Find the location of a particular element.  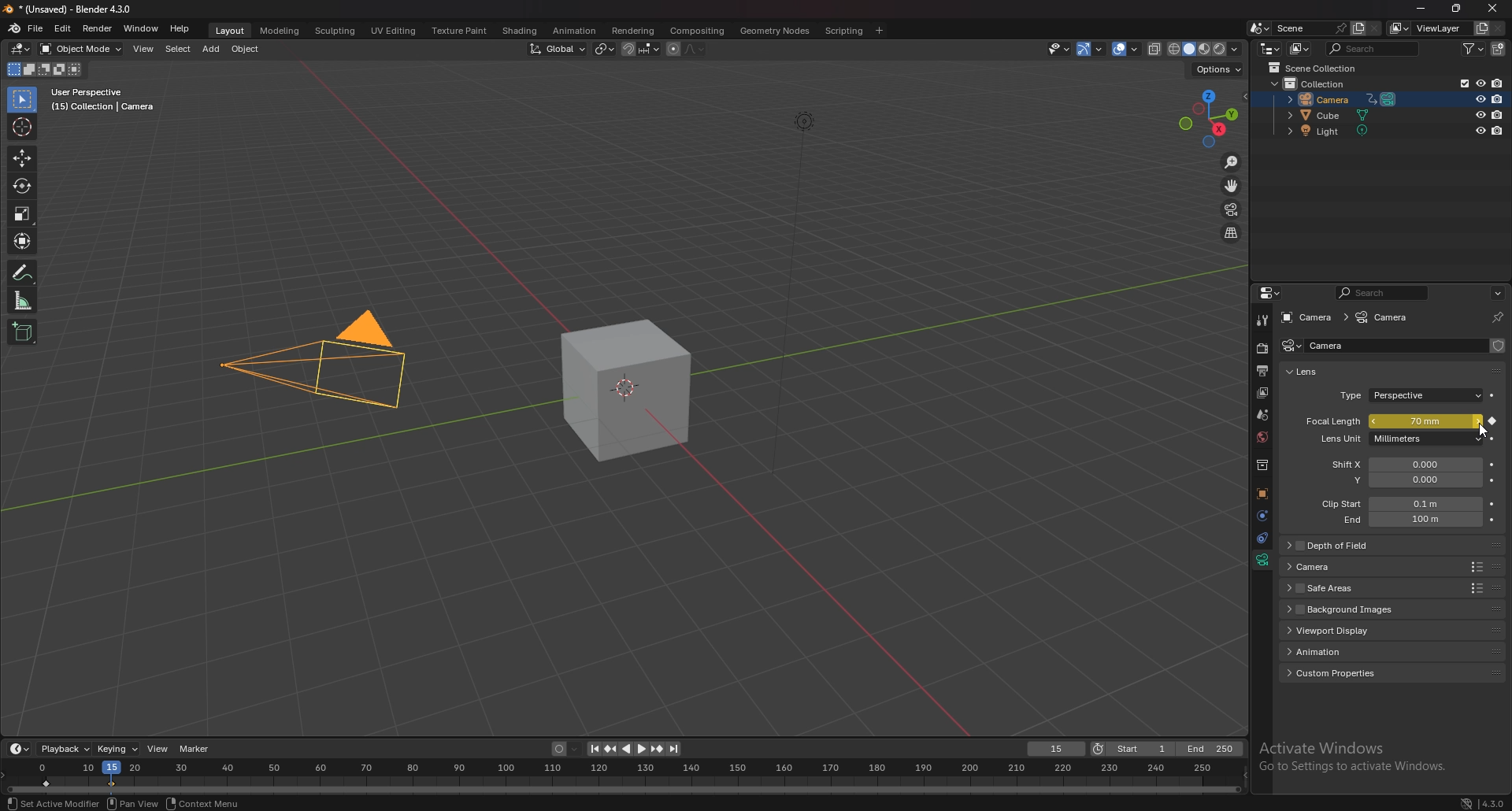

camera is located at coordinates (298, 365).